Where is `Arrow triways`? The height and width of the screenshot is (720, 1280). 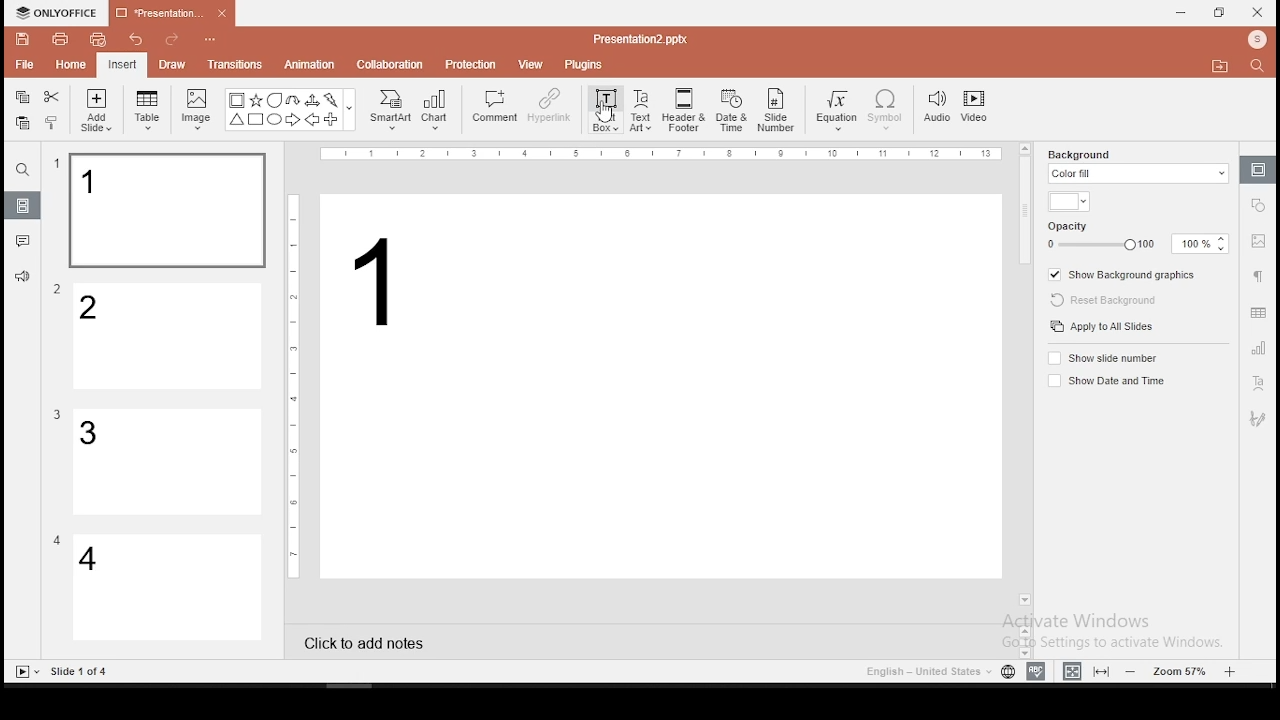 Arrow triways is located at coordinates (313, 100).